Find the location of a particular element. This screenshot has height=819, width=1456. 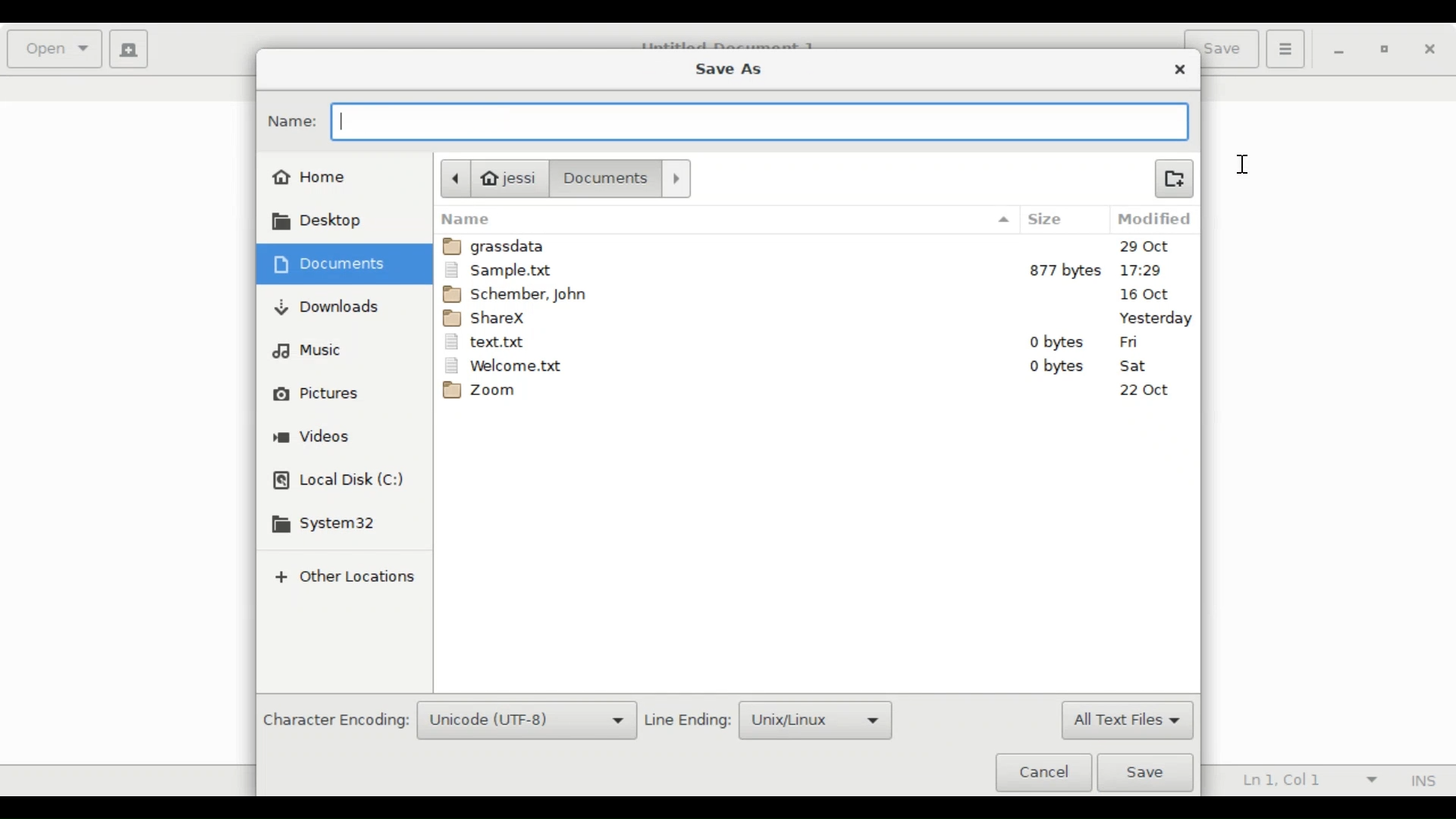

Documents is located at coordinates (624, 178).